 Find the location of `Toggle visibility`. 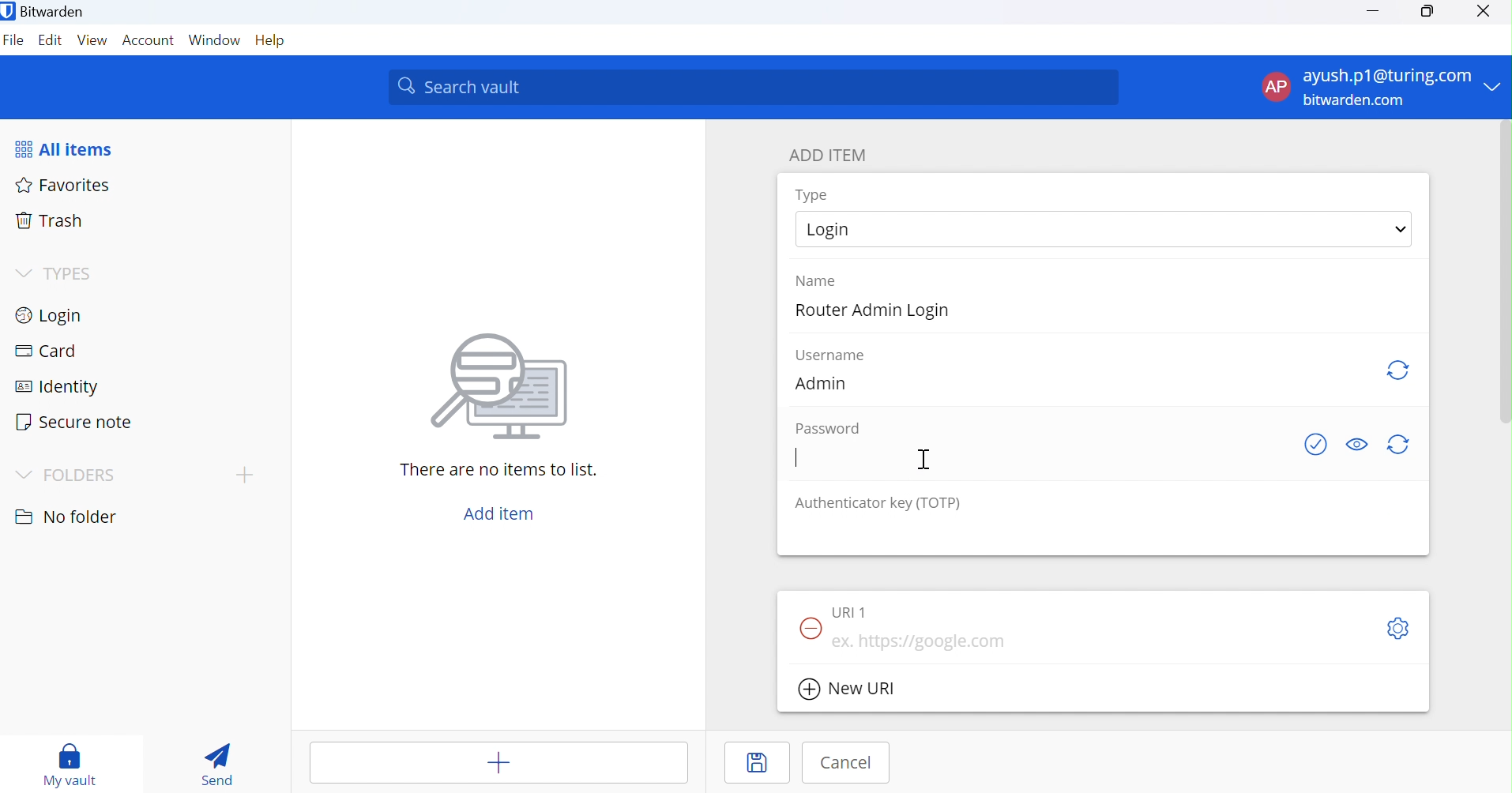

Toggle visibility is located at coordinates (1356, 443).